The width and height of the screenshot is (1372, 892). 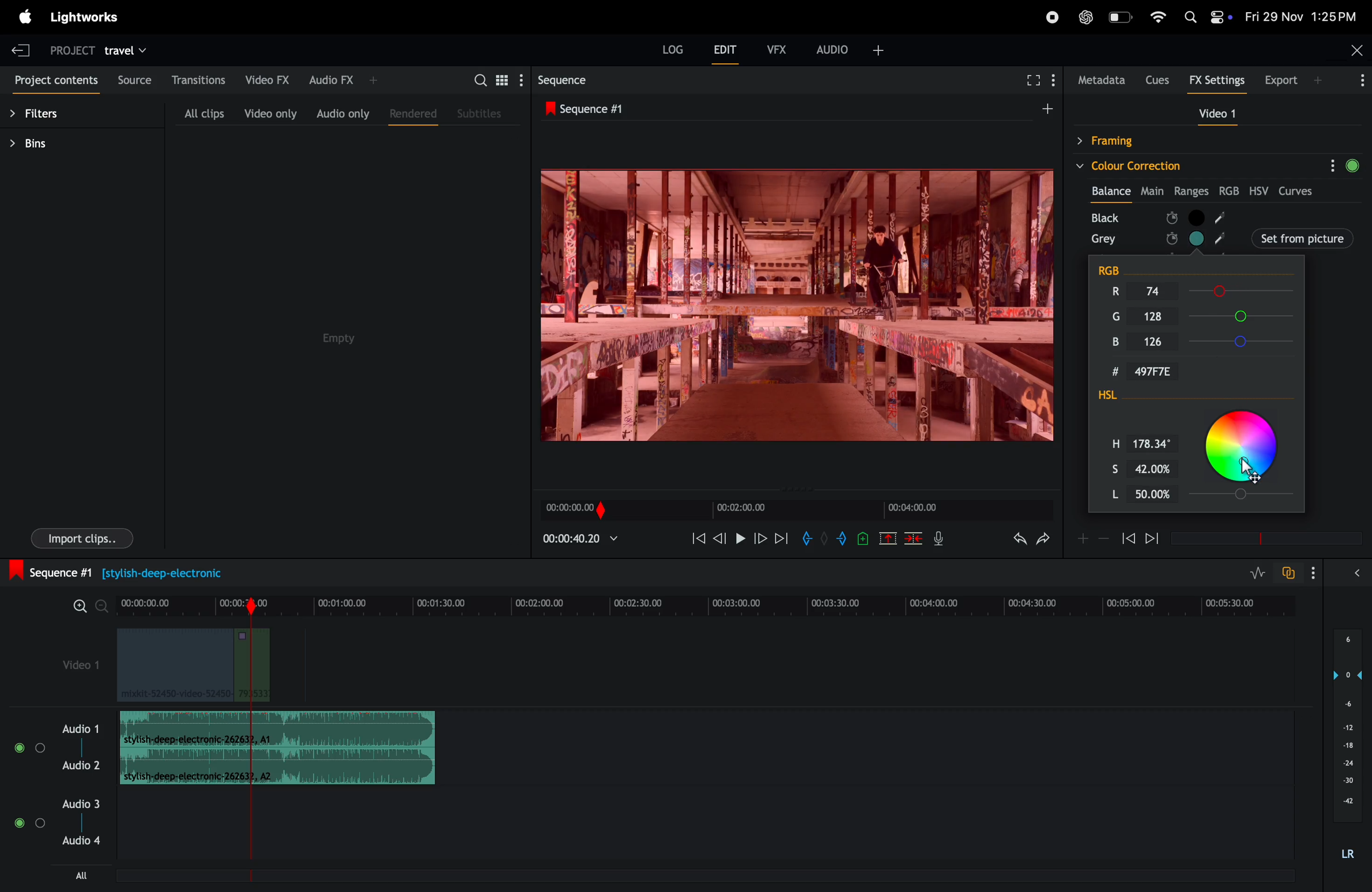 I want to click on RGB, so click(x=1121, y=267).